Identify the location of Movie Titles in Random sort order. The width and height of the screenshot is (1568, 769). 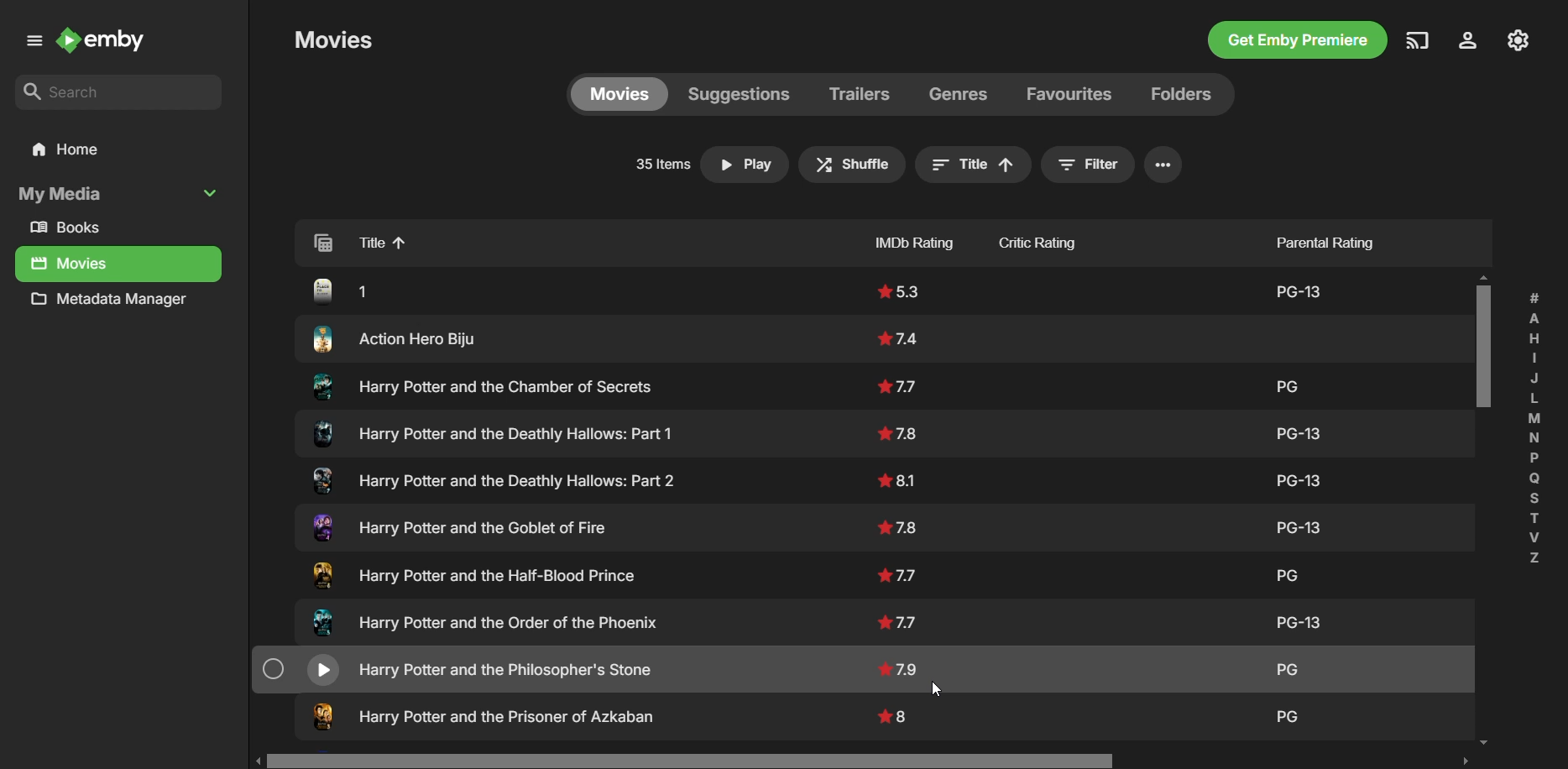
(542, 241).